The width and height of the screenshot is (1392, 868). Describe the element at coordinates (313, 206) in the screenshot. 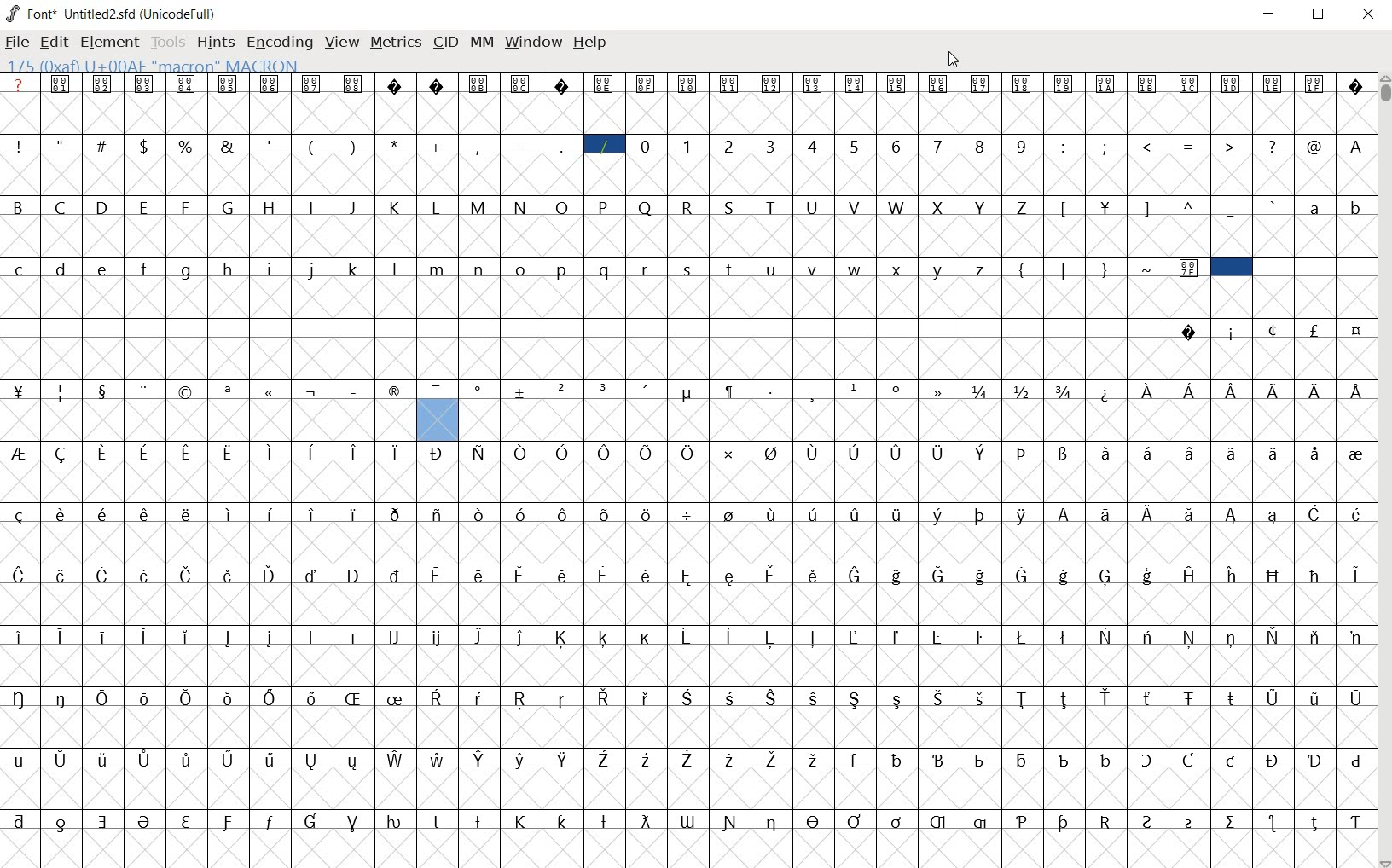

I see `I` at that location.